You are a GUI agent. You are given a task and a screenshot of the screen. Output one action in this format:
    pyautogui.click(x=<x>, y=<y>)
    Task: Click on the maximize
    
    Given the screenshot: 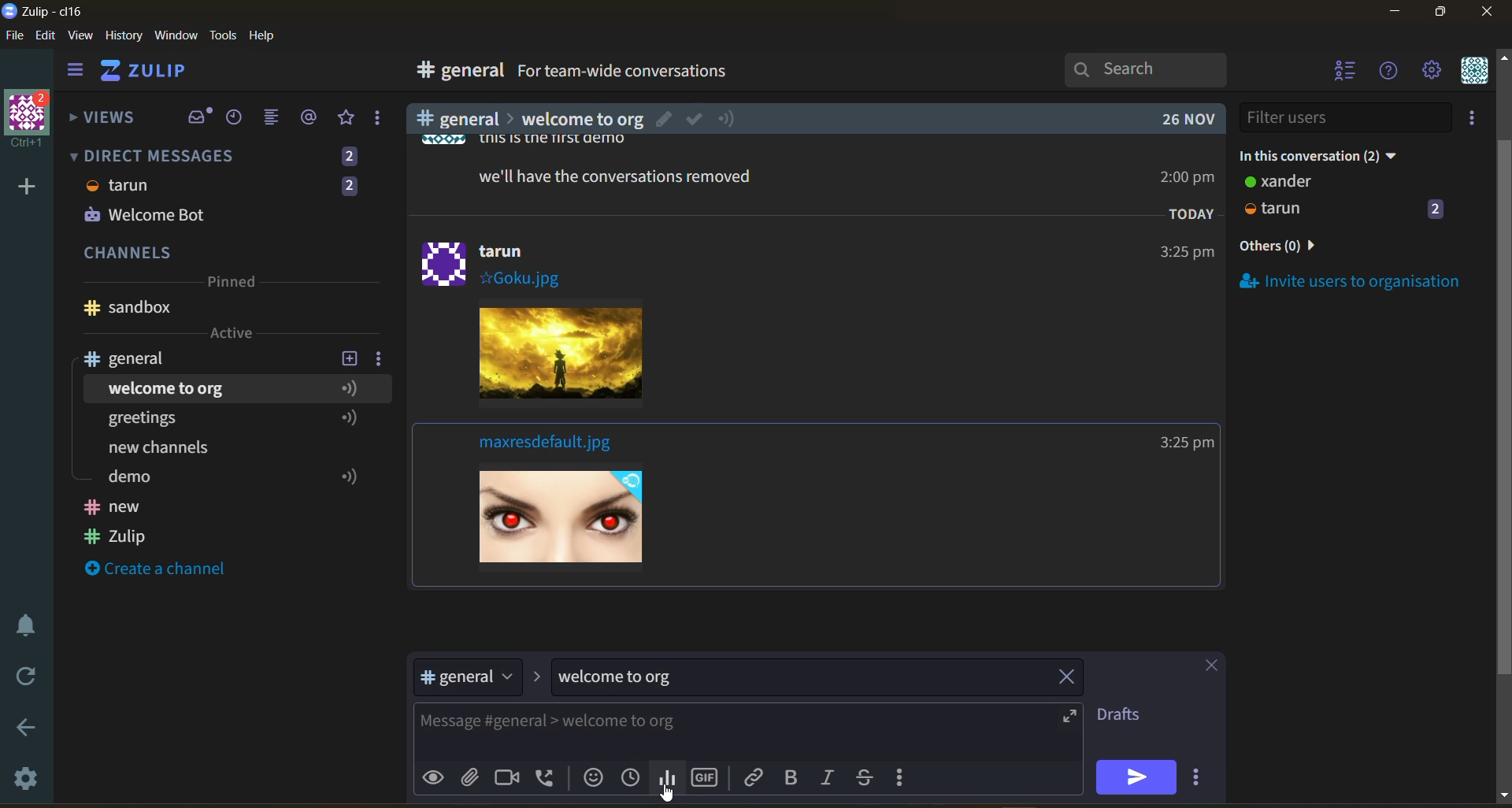 What is the action you would take?
    pyautogui.click(x=1437, y=17)
    